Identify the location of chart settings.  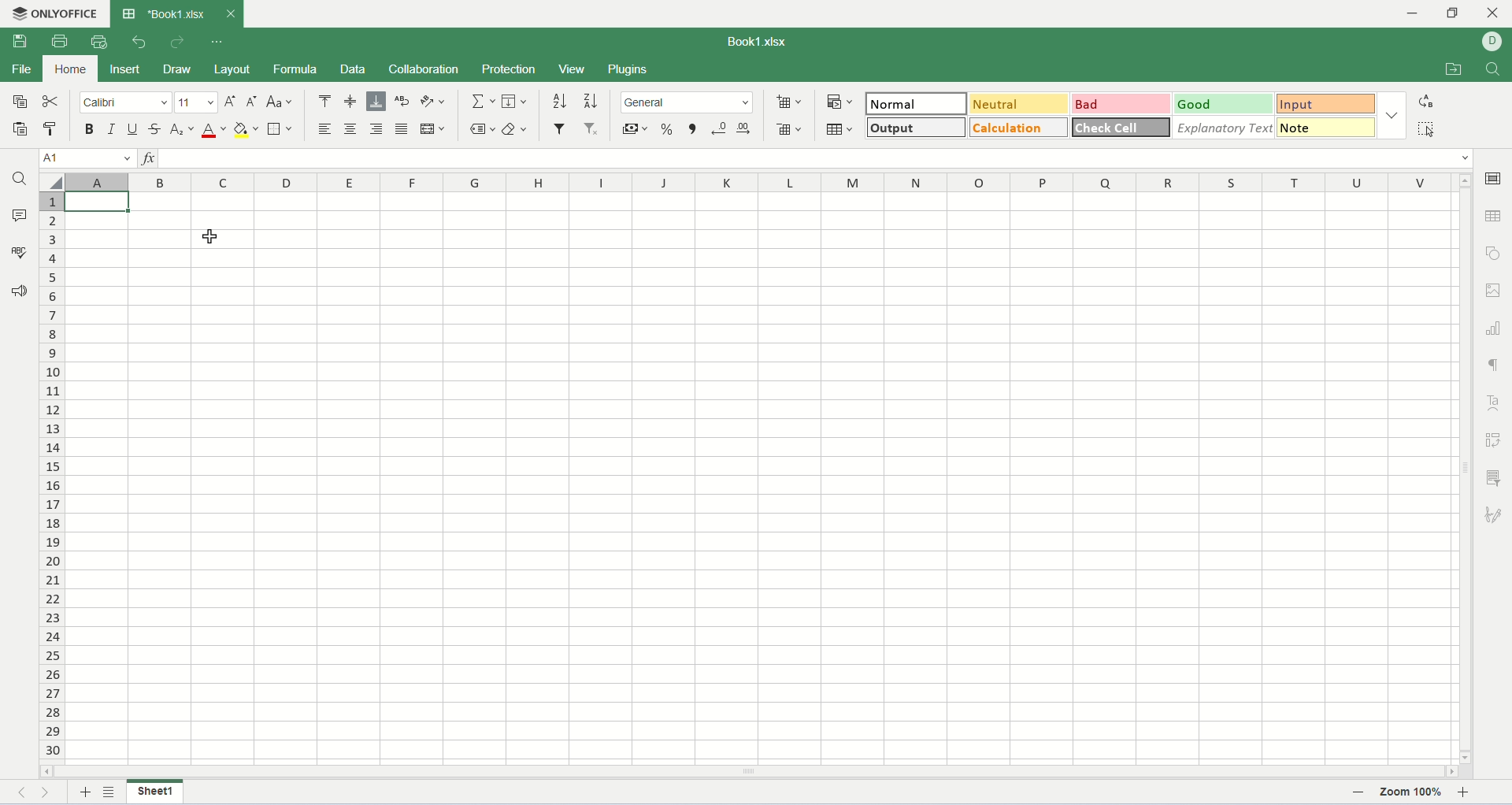
(1495, 329).